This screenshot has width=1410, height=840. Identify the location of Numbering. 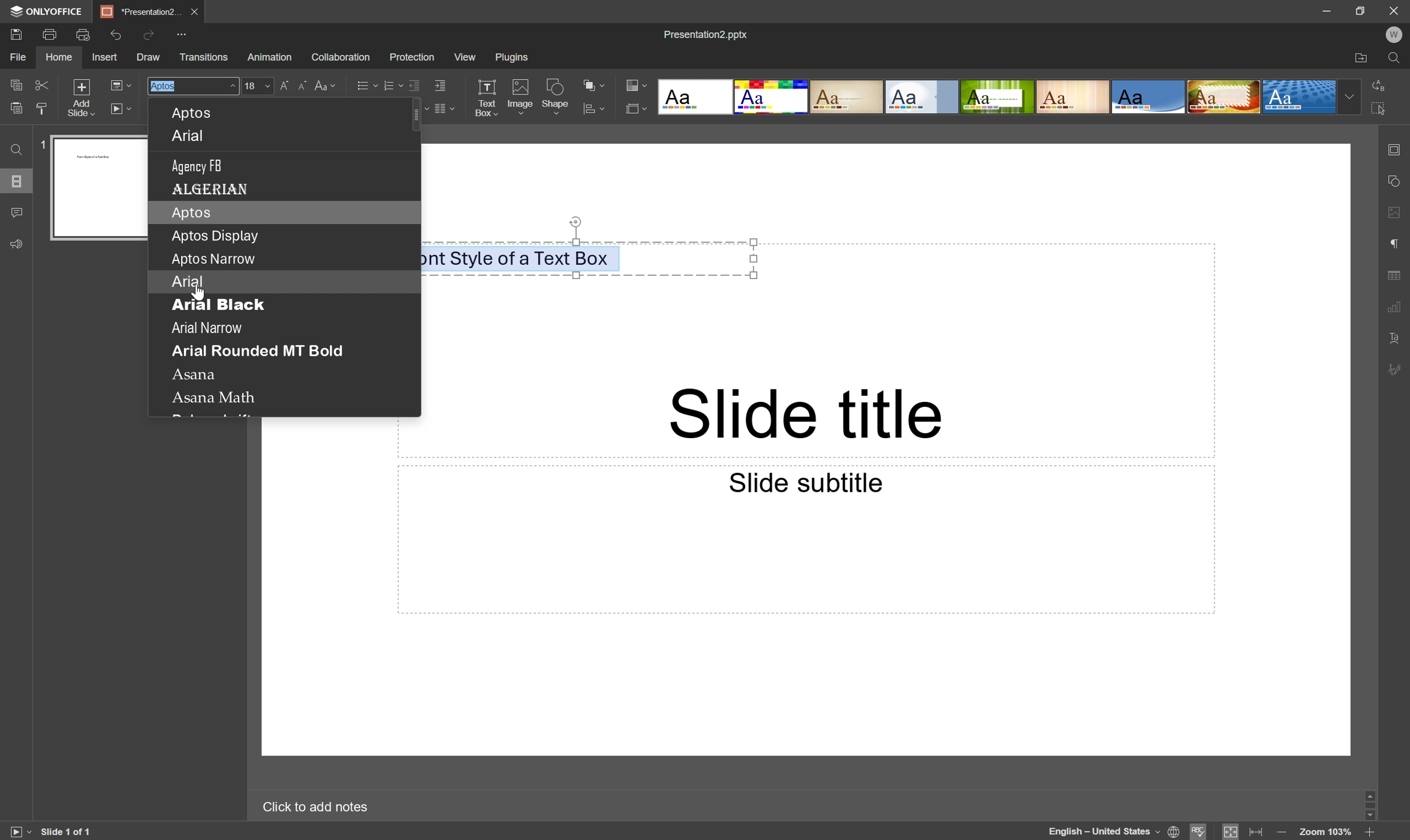
(390, 82).